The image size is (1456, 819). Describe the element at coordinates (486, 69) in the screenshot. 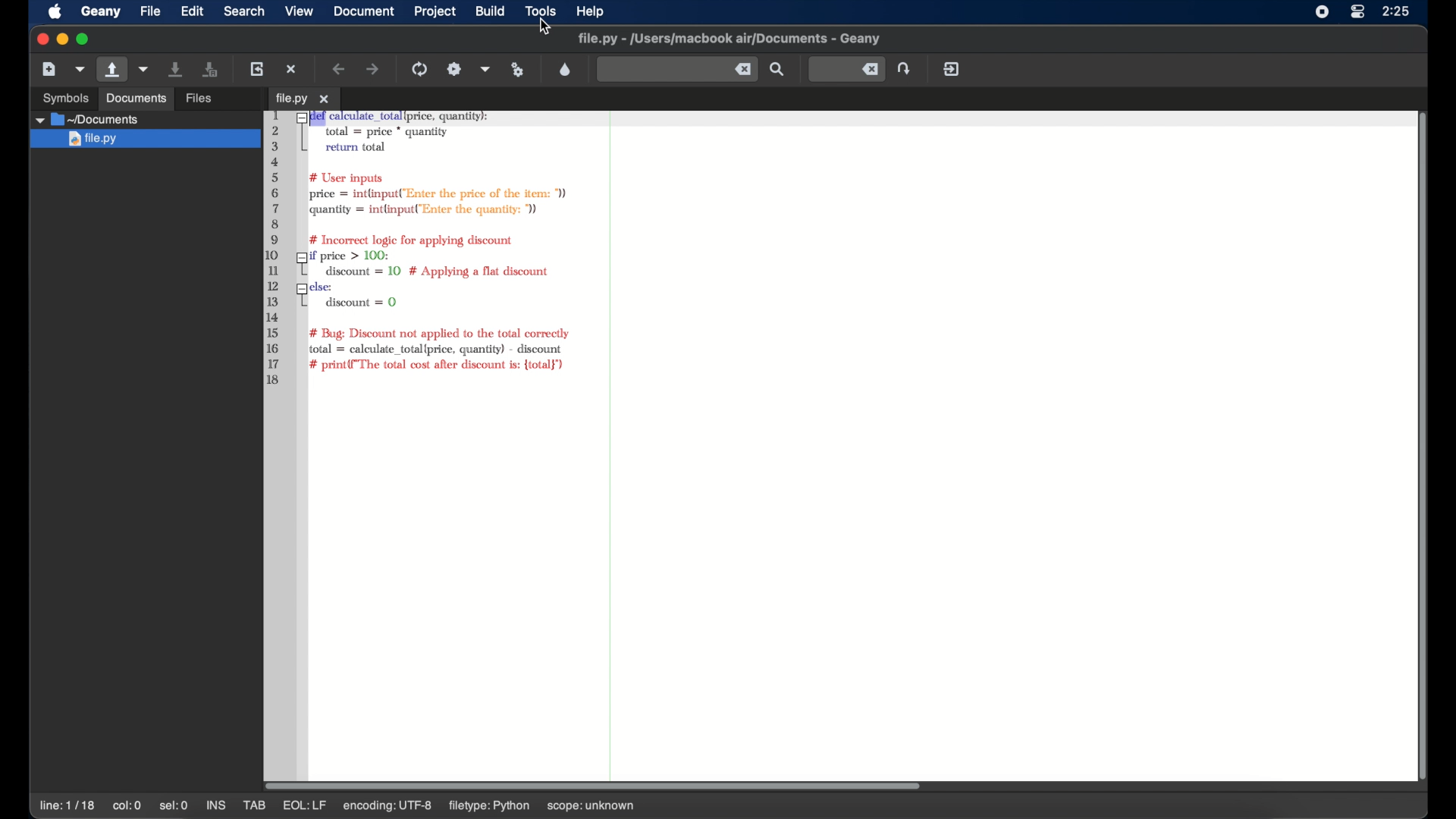

I see `choose more build actions` at that location.